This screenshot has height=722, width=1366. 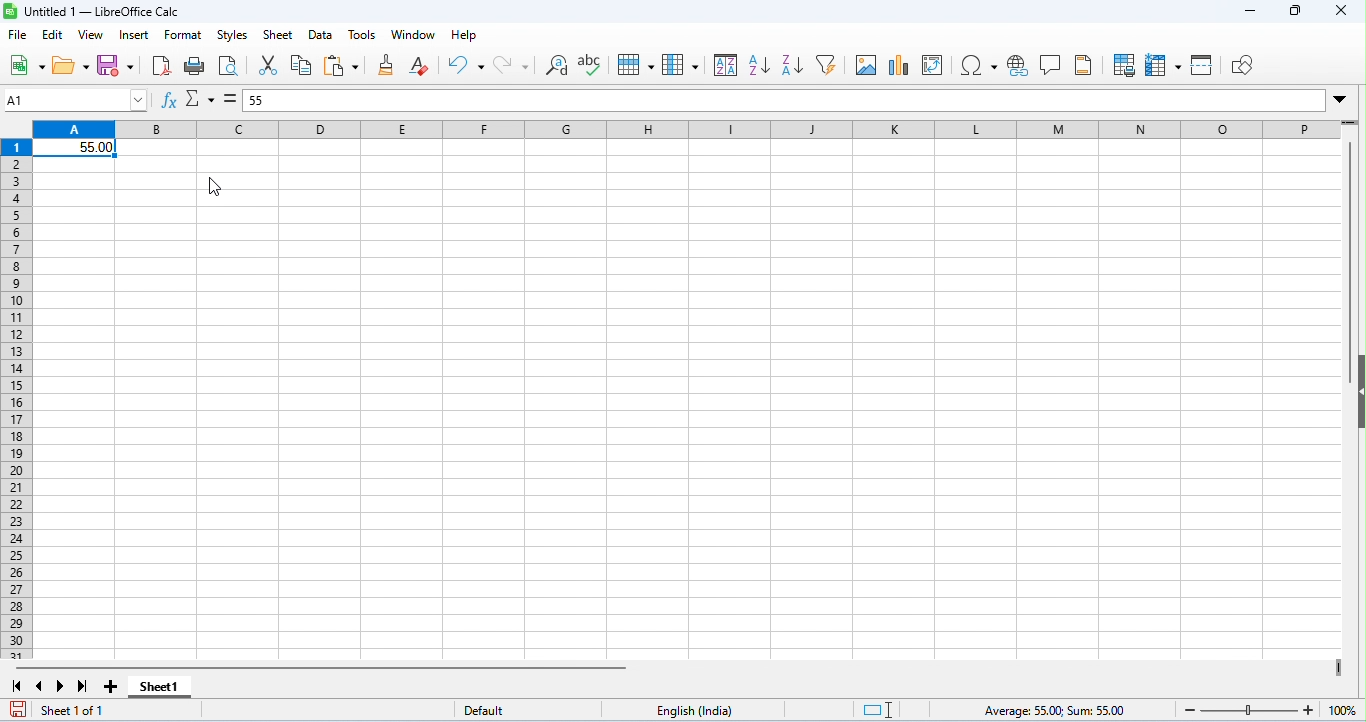 I want to click on =, so click(x=229, y=99).